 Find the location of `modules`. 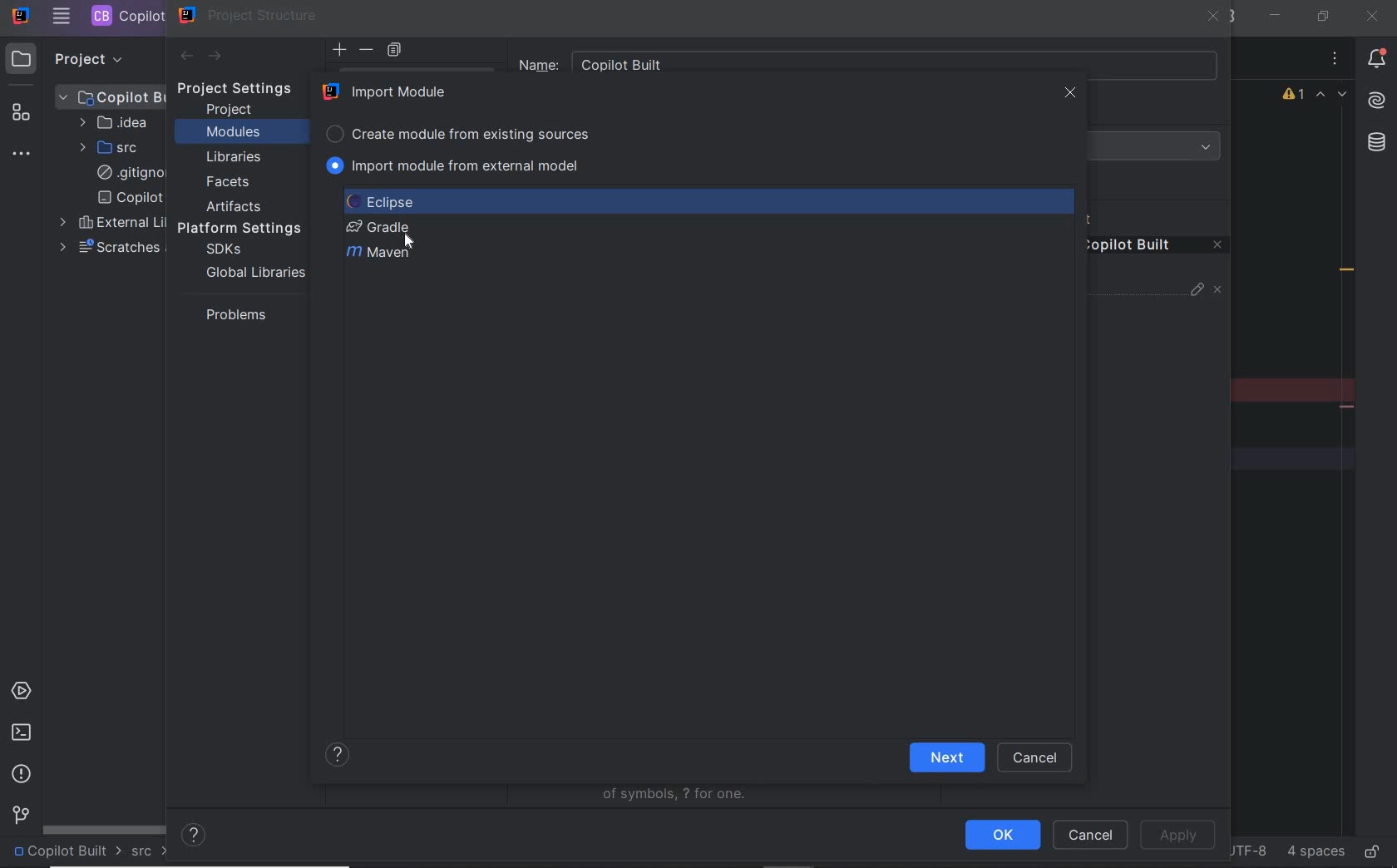

modules is located at coordinates (233, 133).